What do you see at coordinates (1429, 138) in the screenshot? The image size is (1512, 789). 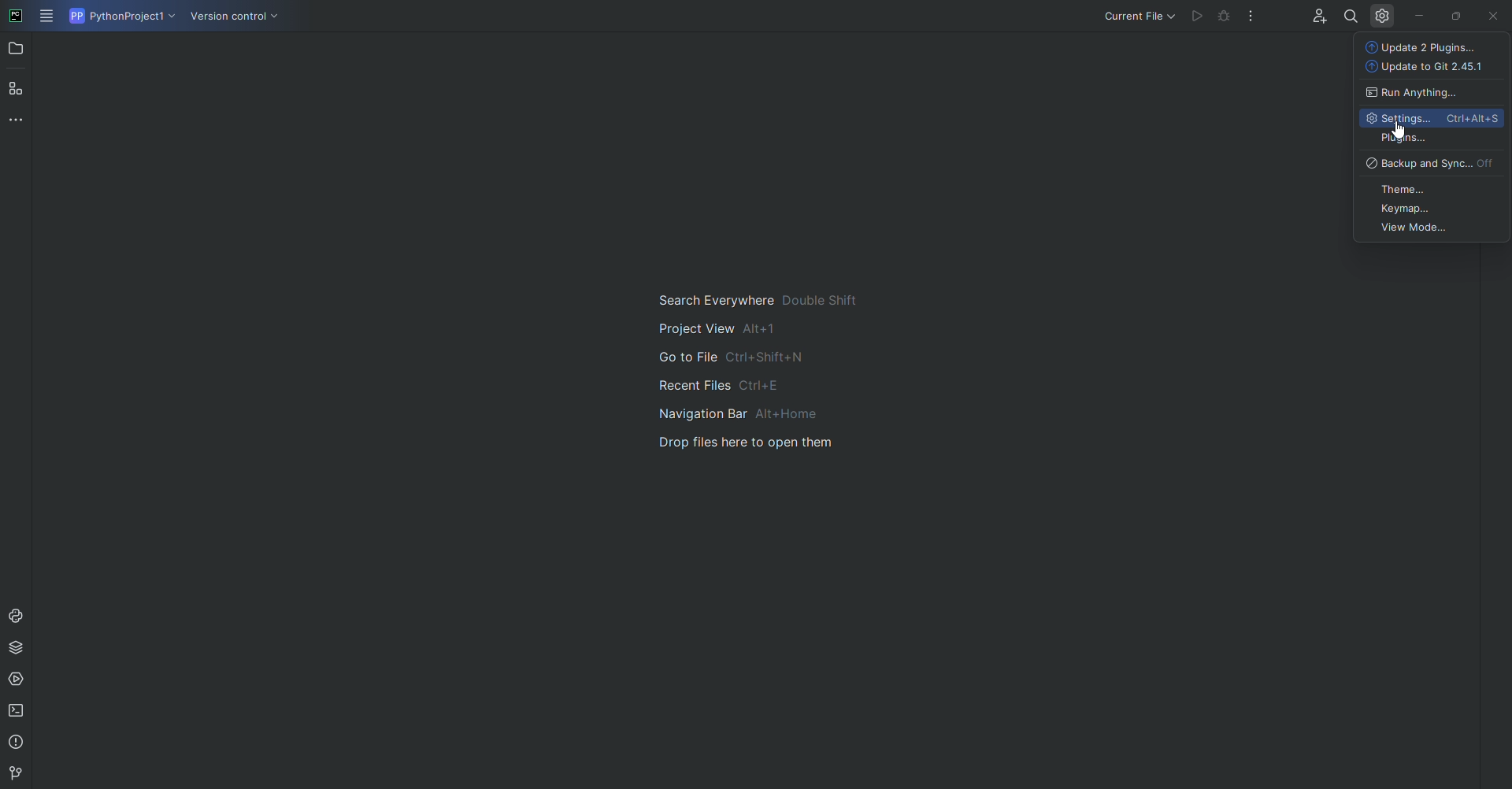 I see `Plugins` at bounding box center [1429, 138].